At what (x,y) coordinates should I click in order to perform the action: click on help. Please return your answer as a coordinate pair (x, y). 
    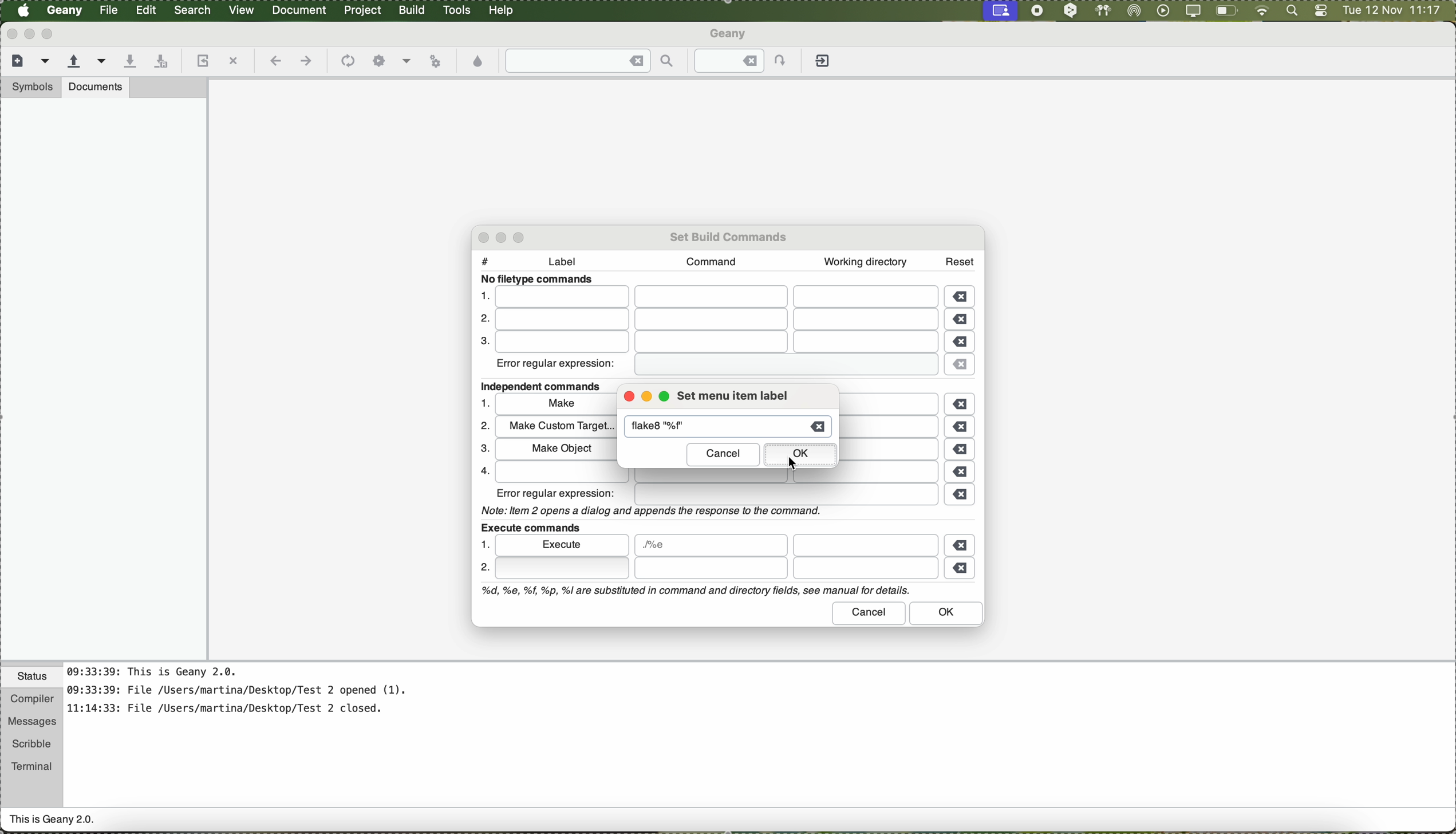
    Looking at the image, I should click on (502, 10).